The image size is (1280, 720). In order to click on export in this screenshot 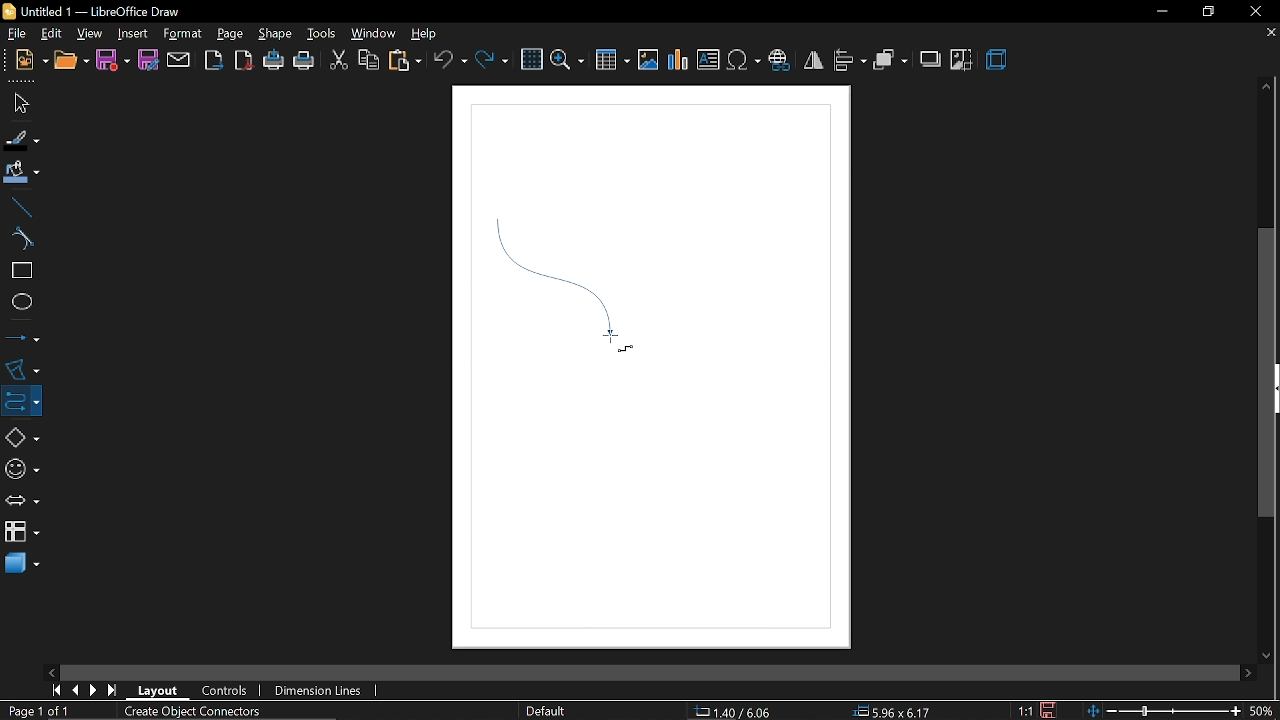, I will do `click(214, 61)`.